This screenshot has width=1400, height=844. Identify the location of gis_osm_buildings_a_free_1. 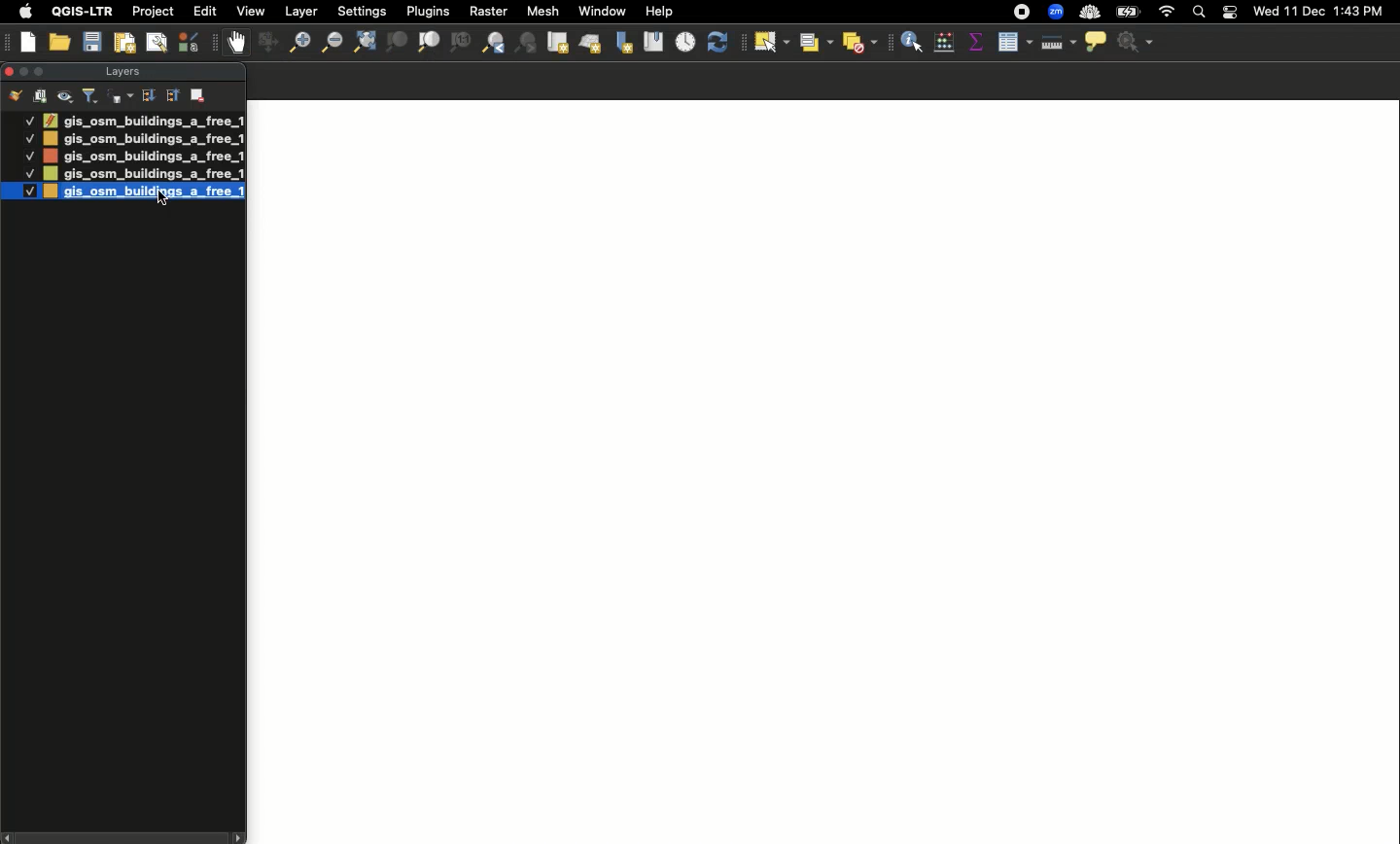
(144, 139).